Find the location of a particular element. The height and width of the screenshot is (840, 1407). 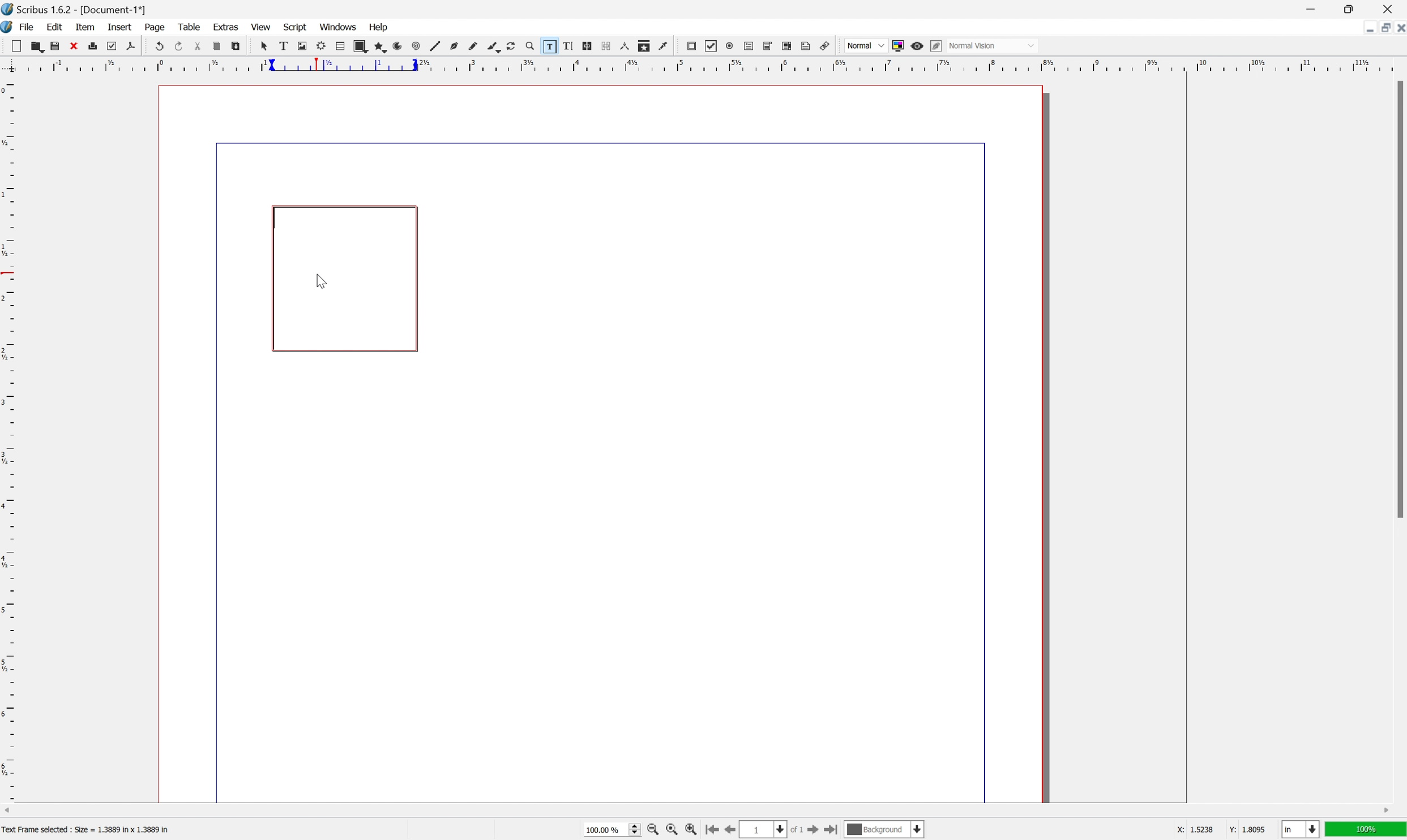

cursor is located at coordinates (263, 46).